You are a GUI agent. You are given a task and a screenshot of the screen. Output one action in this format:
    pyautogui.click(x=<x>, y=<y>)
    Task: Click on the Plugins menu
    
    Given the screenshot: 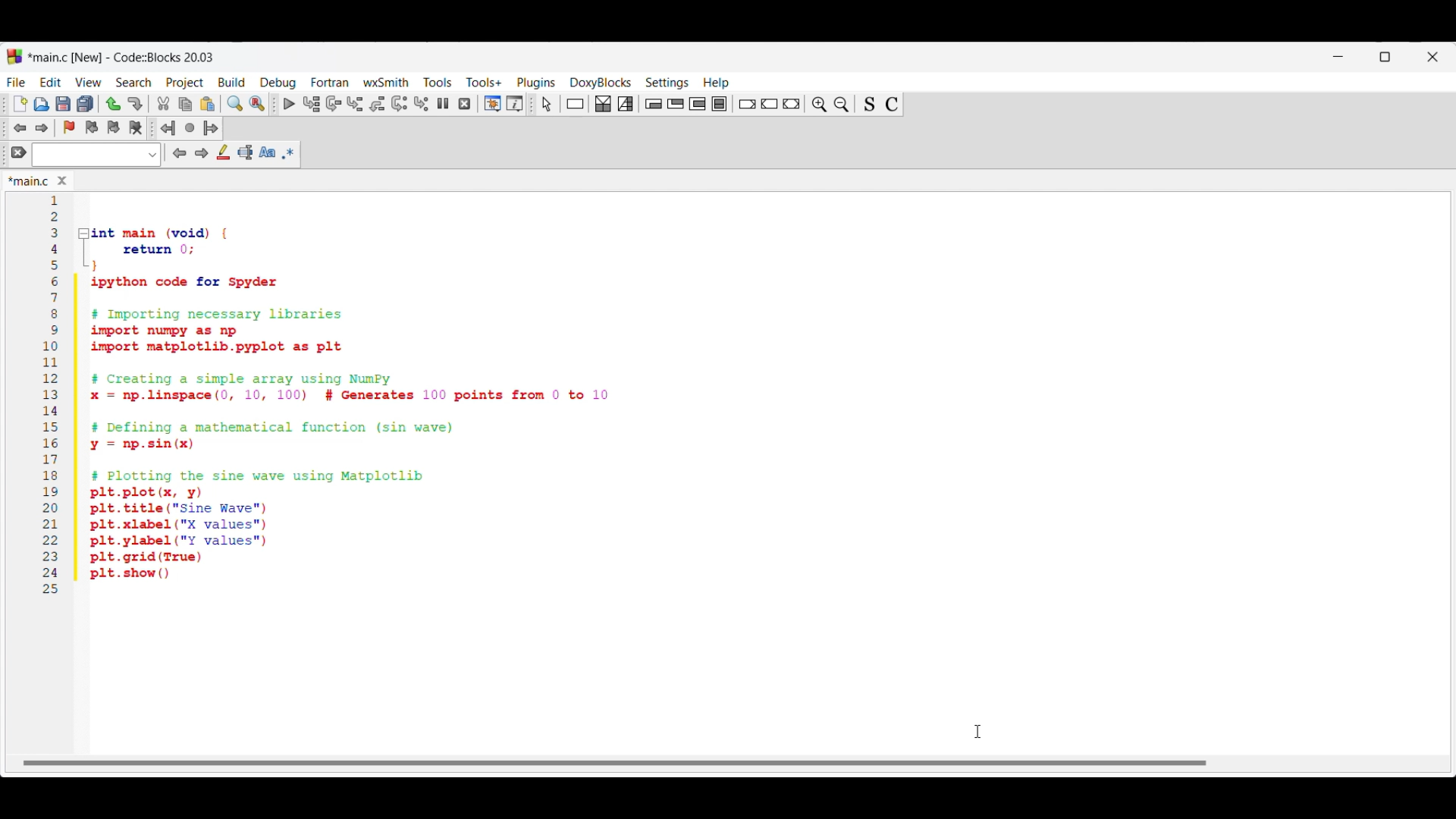 What is the action you would take?
    pyautogui.click(x=536, y=83)
    